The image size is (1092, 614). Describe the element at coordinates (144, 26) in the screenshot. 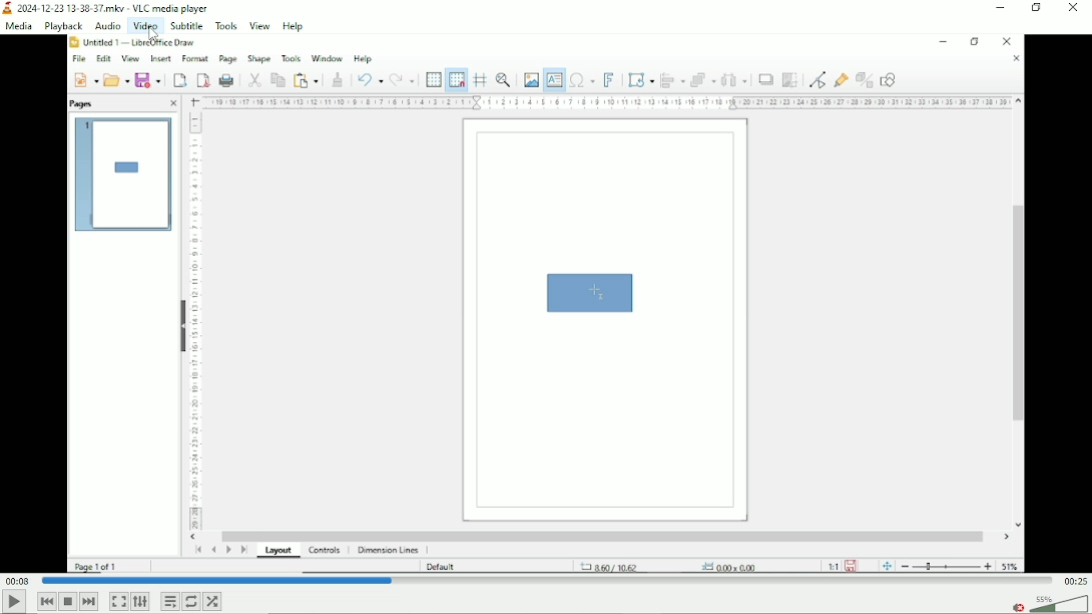

I see `Video` at that location.